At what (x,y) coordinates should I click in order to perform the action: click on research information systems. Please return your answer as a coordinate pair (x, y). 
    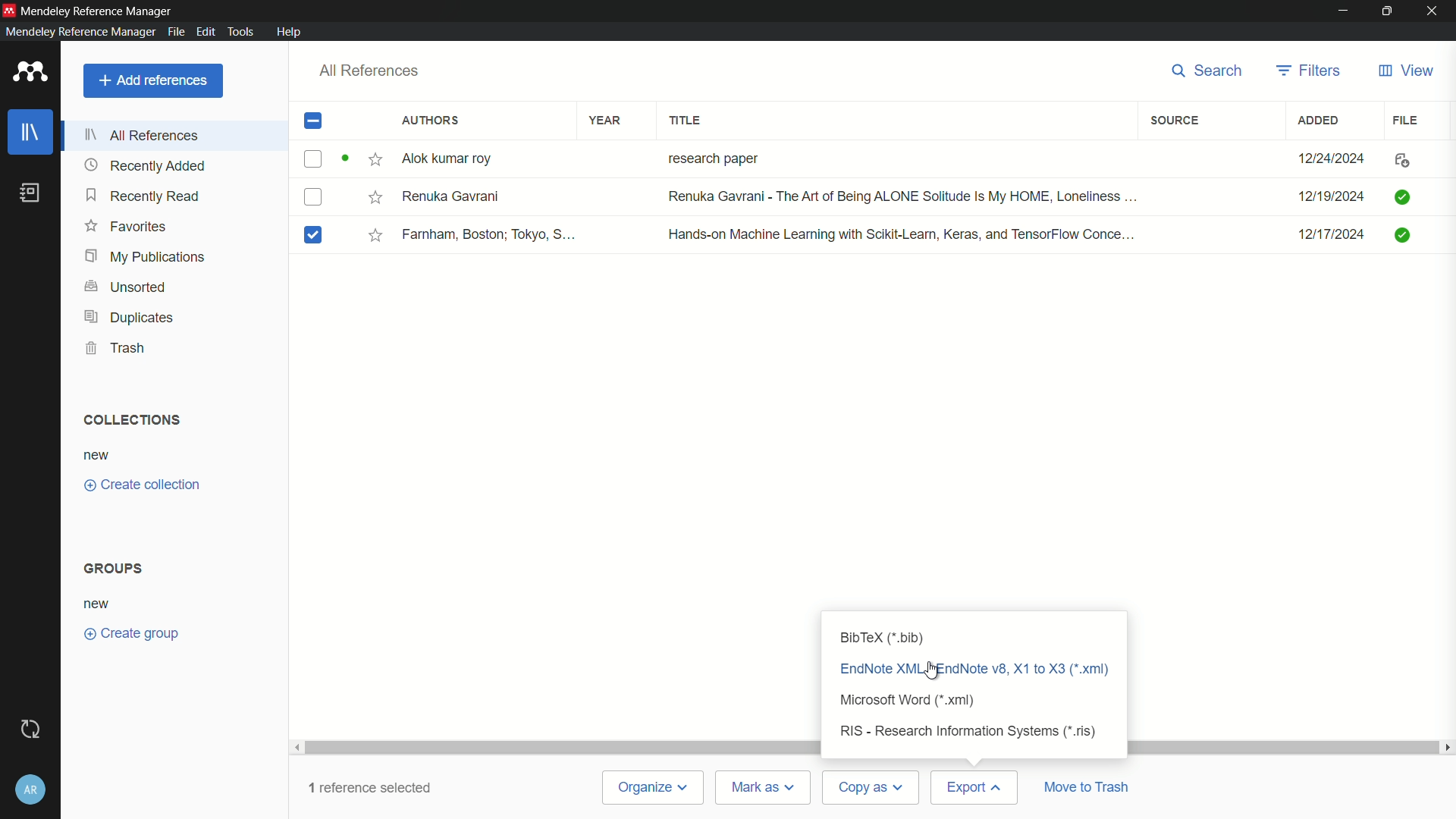
    Looking at the image, I should click on (970, 730).